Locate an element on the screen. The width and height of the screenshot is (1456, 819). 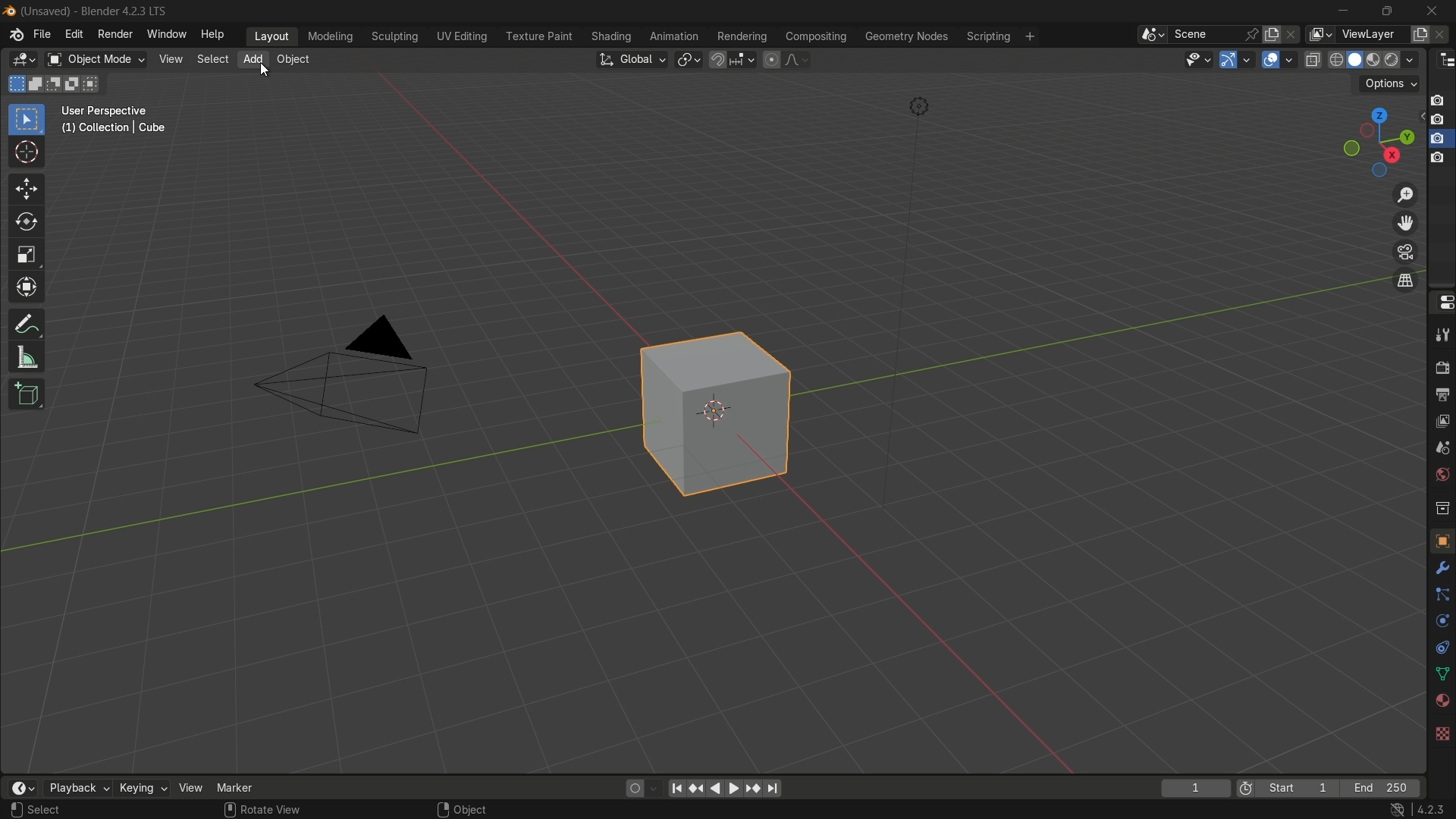
playback is located at coordinates (77, 788).